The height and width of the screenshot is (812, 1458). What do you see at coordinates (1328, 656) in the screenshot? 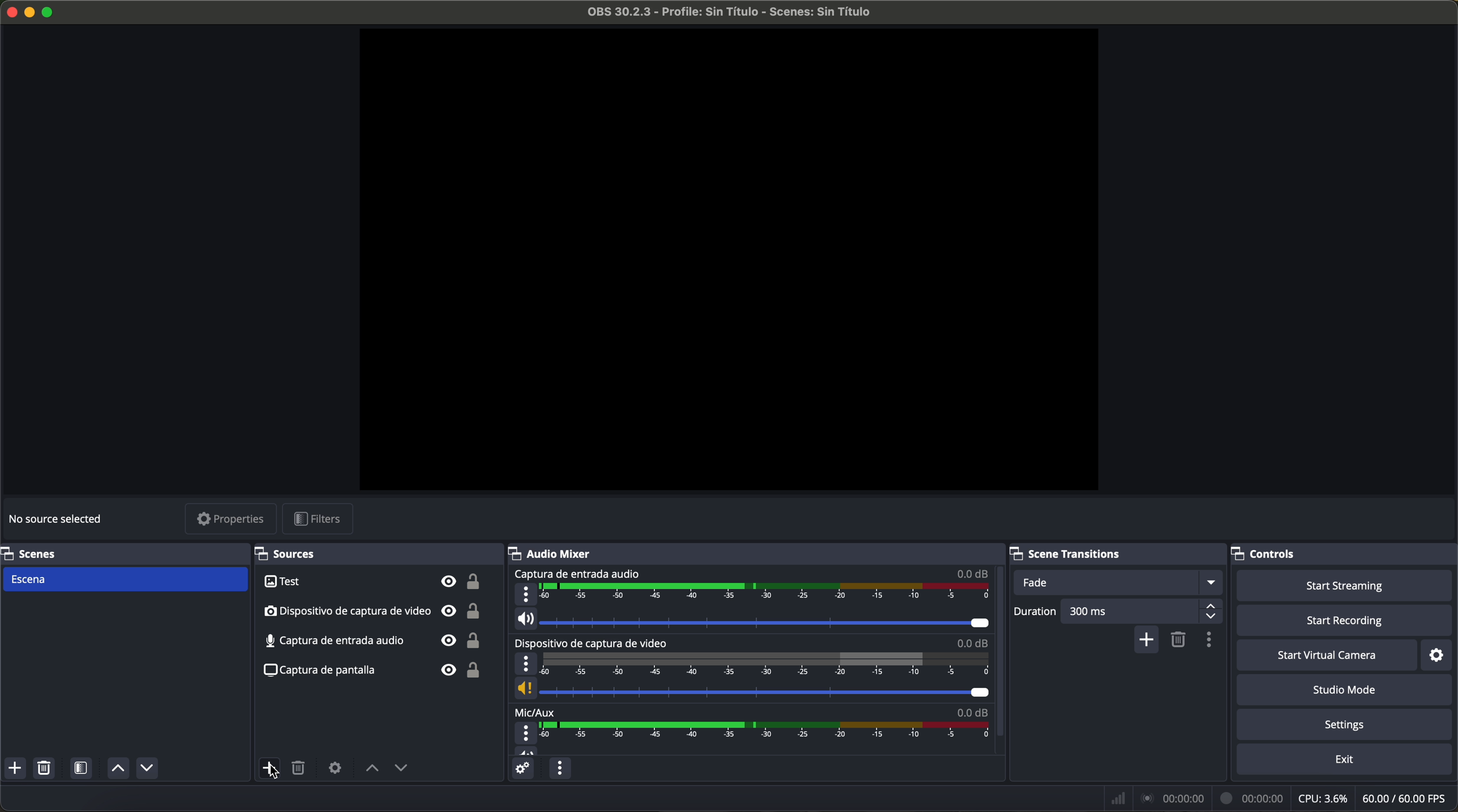
I see `start virtual camera` at bounding box center [1328, 656].